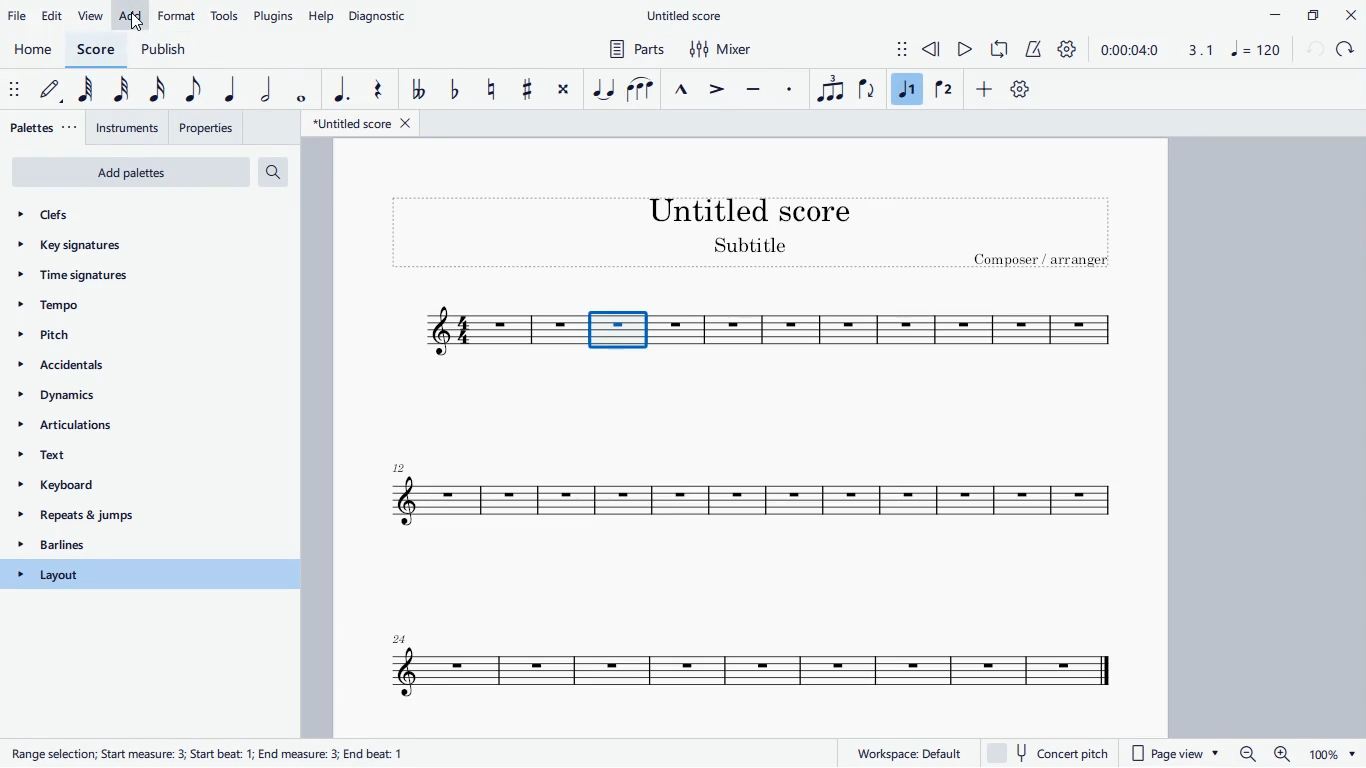  Describe the element at coordinates (55, 15) in the screenshot. I see `edit` at that location.